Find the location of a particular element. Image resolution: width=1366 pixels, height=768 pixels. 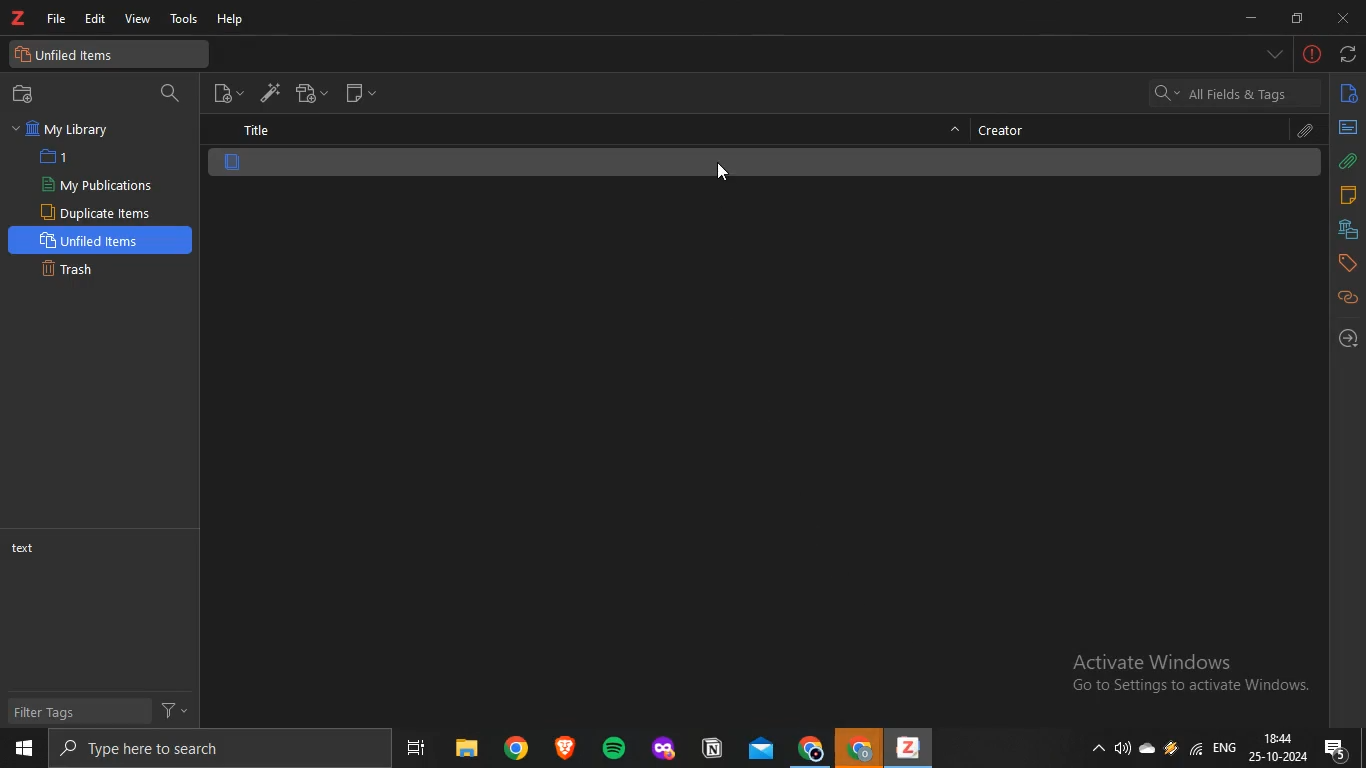

libraries and collection is located at coordinates (1348, 230).